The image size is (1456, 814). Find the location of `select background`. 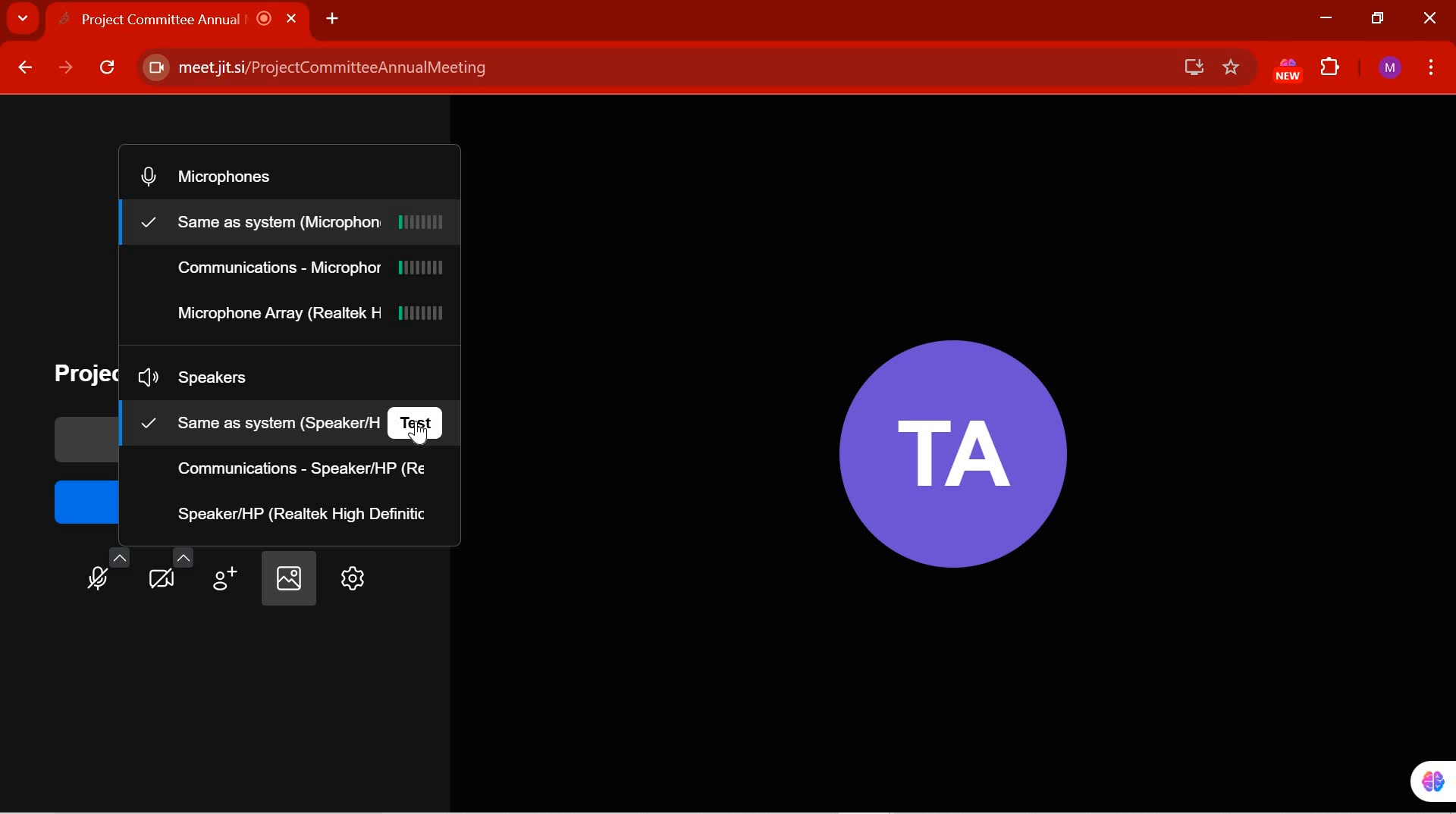

select background is located at coordinates (287, 579).